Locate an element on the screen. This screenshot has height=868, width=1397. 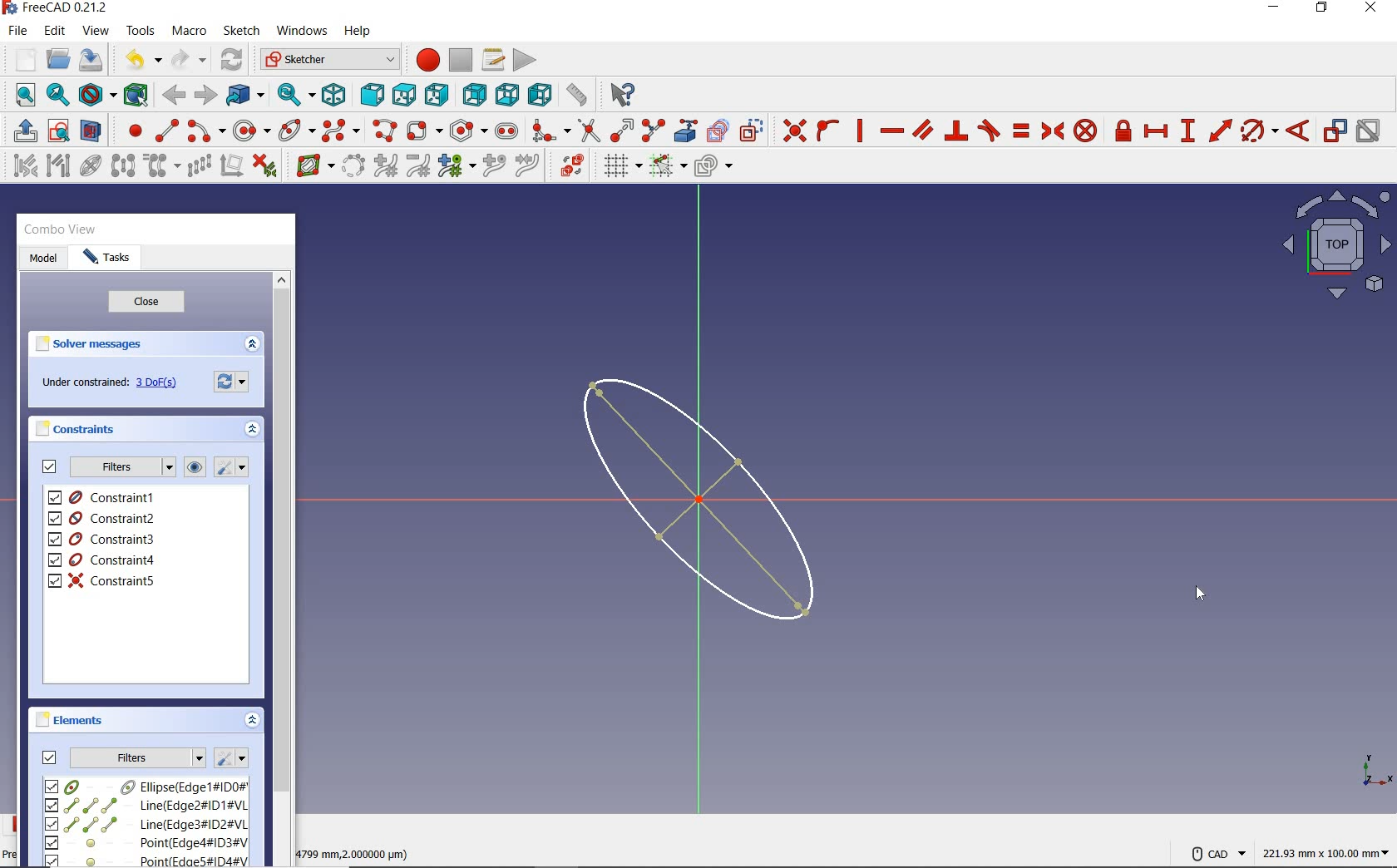
modify knot multiplicity is located at coordinates (456, 165).